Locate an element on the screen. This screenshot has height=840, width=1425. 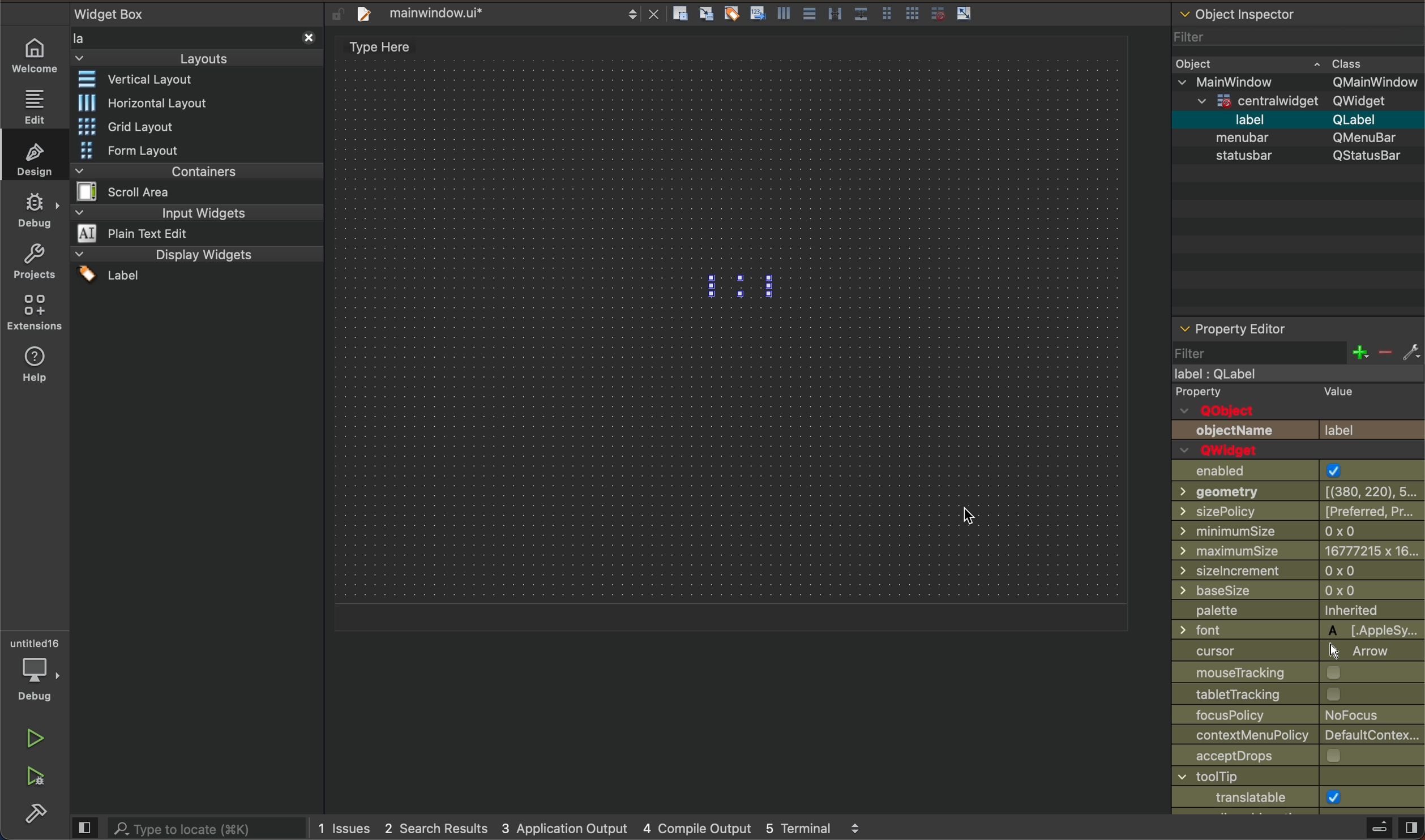
min size is located at coordinates (1299, 530).